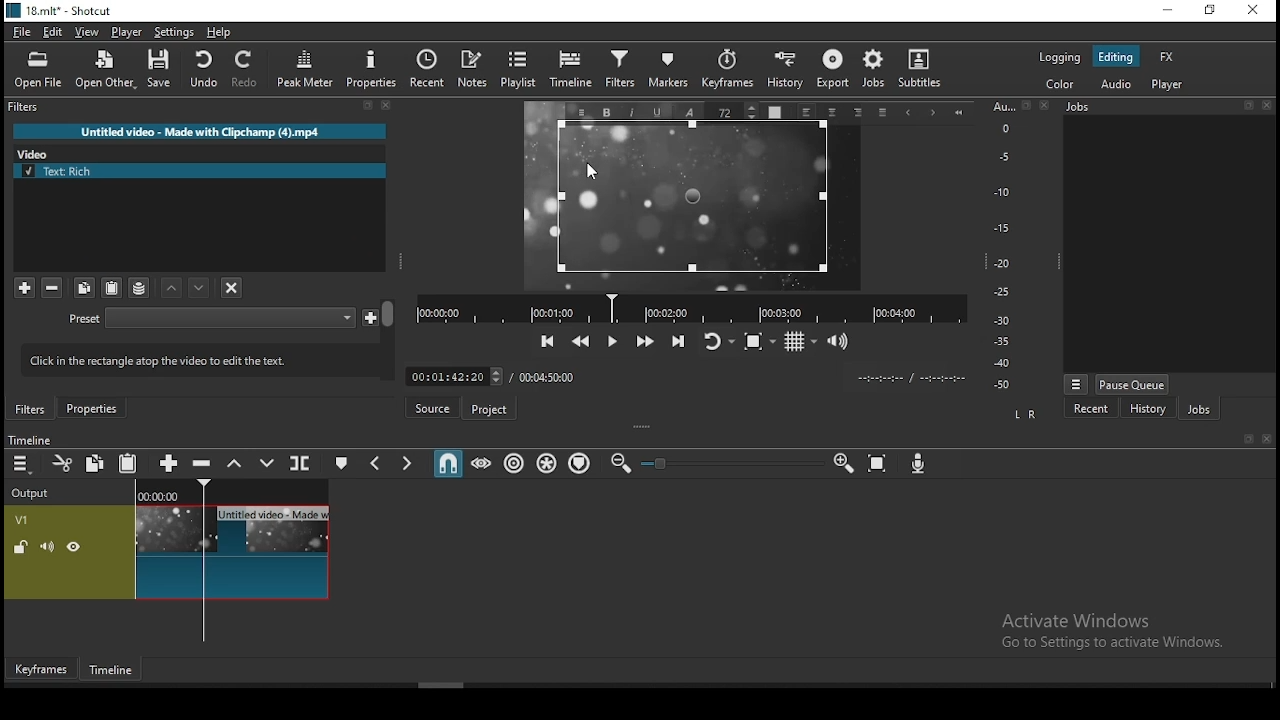 This screenshot has height=720, width=1280. Describe the element at coordinates (368, 106) in the screenshot. I see `Detach` at that location.